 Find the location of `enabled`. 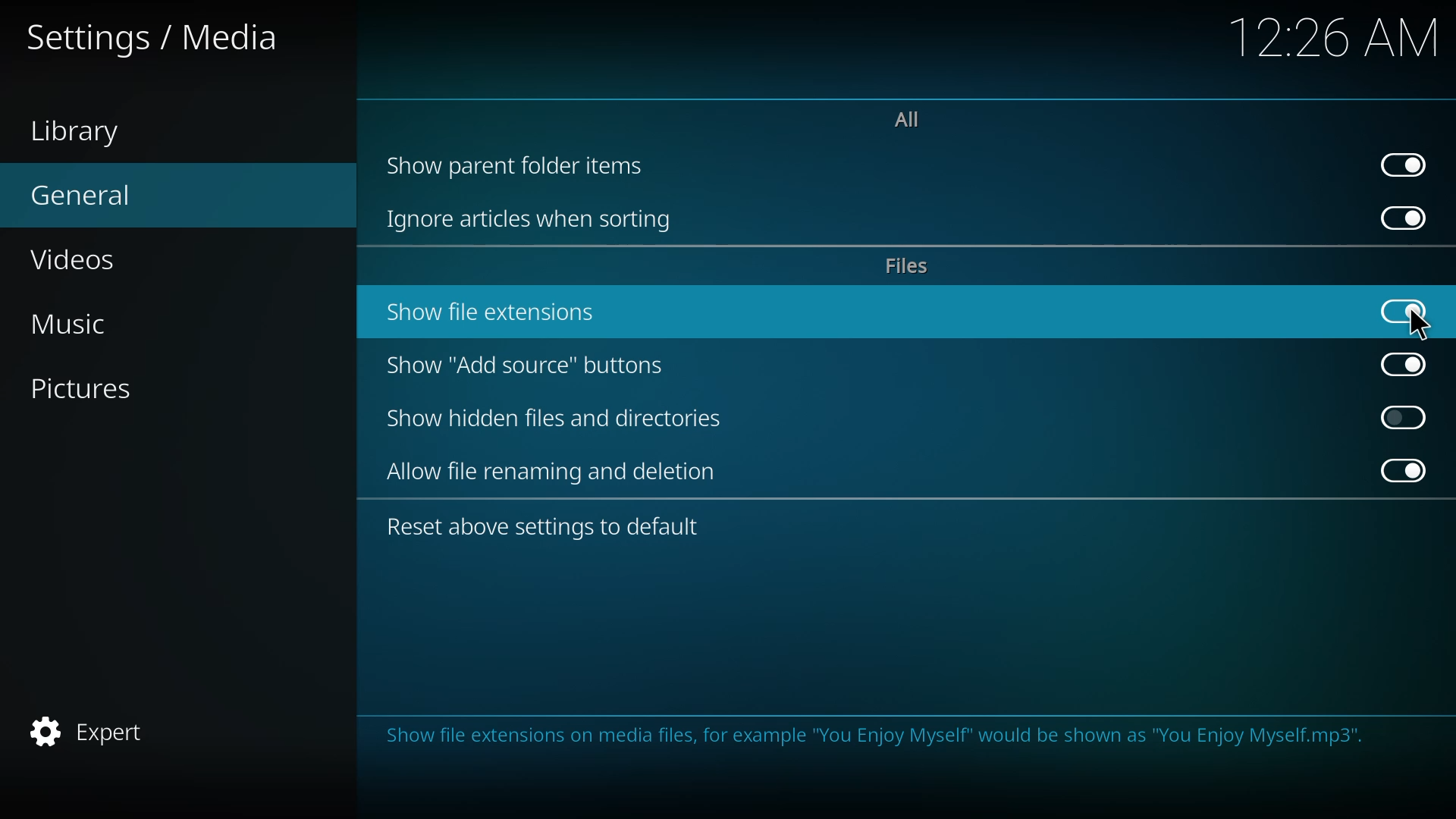

enabled is located at coordinates (1407, 472).